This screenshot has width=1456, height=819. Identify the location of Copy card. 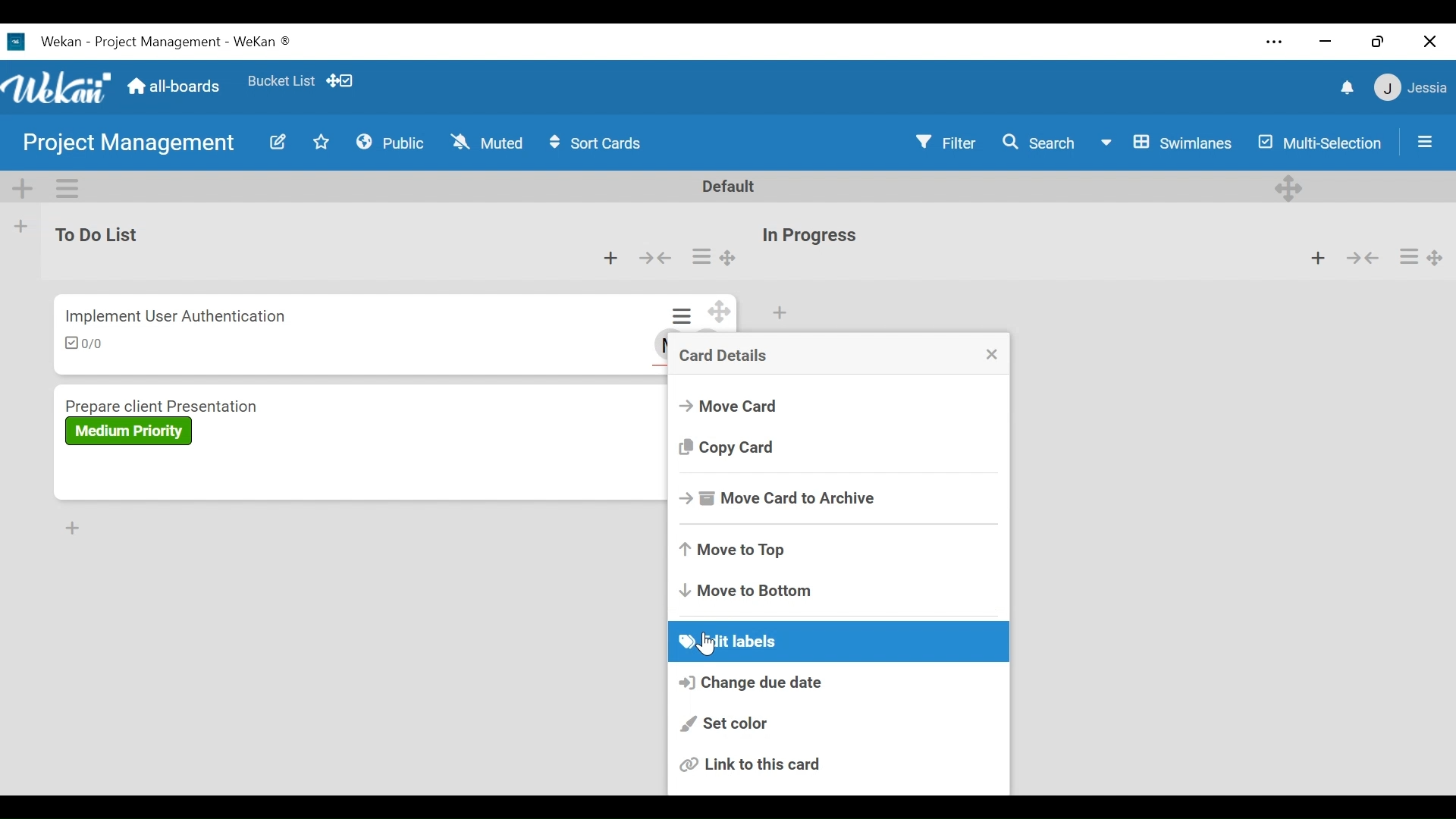
(727, 447).